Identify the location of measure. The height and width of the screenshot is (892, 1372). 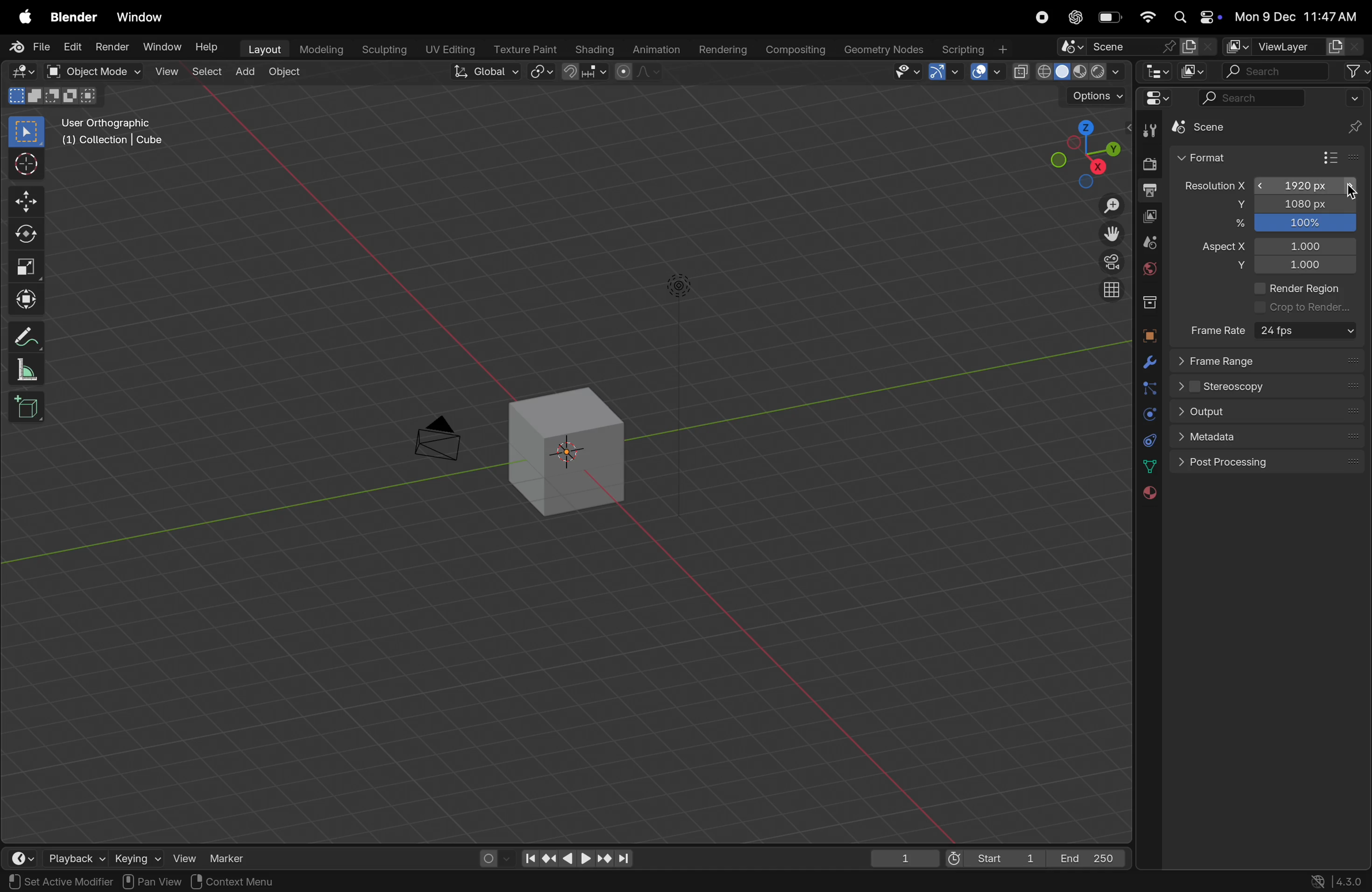
(26, 369).